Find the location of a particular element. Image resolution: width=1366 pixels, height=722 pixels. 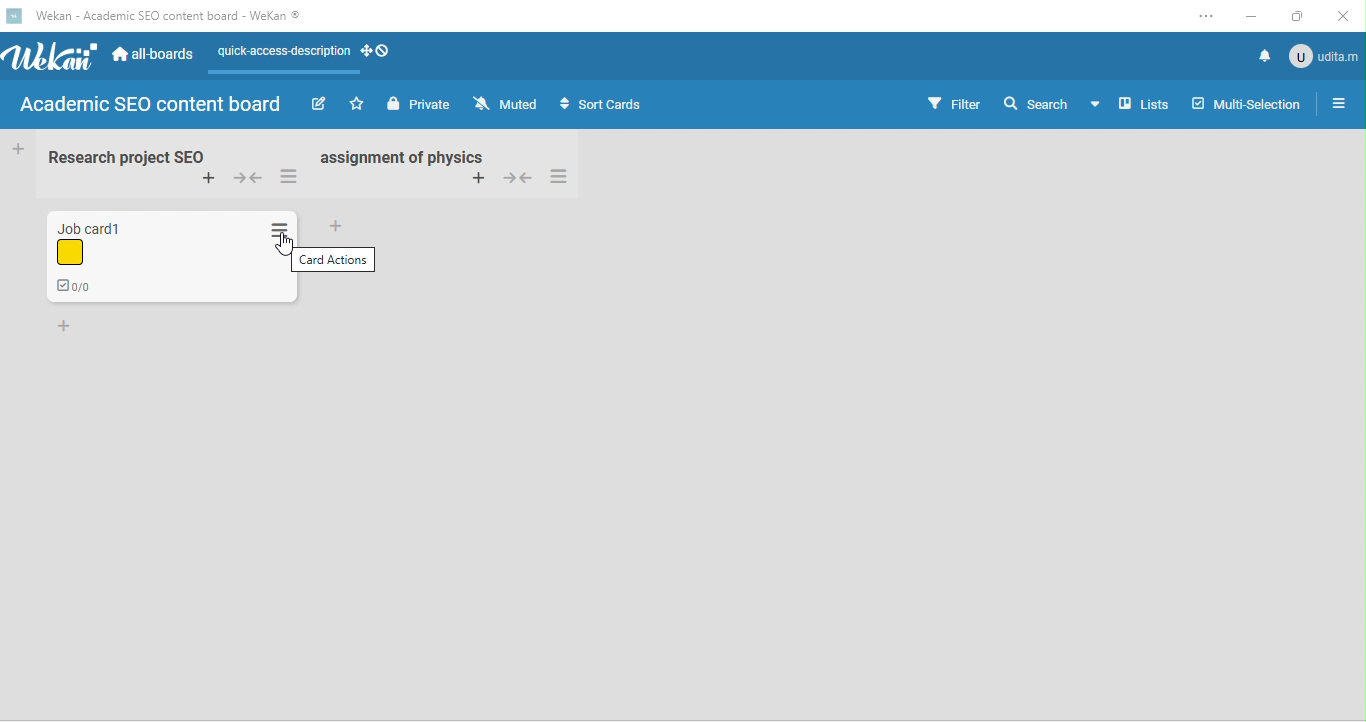

card title is located at coordinates (105, 222).